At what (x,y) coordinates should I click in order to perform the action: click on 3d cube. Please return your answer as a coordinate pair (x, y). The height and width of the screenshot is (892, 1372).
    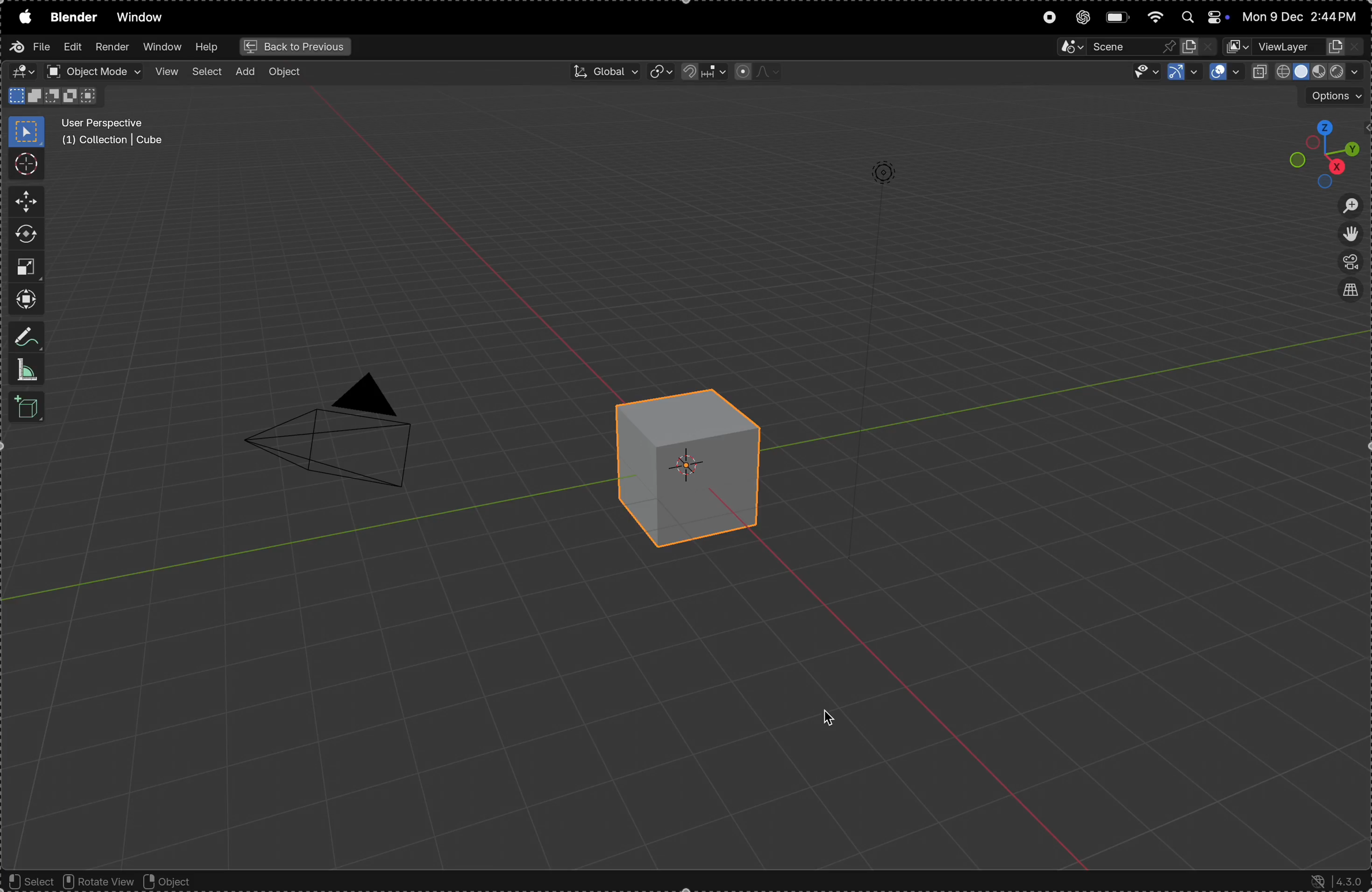
    Looking at the image, I should click on (24, 408).